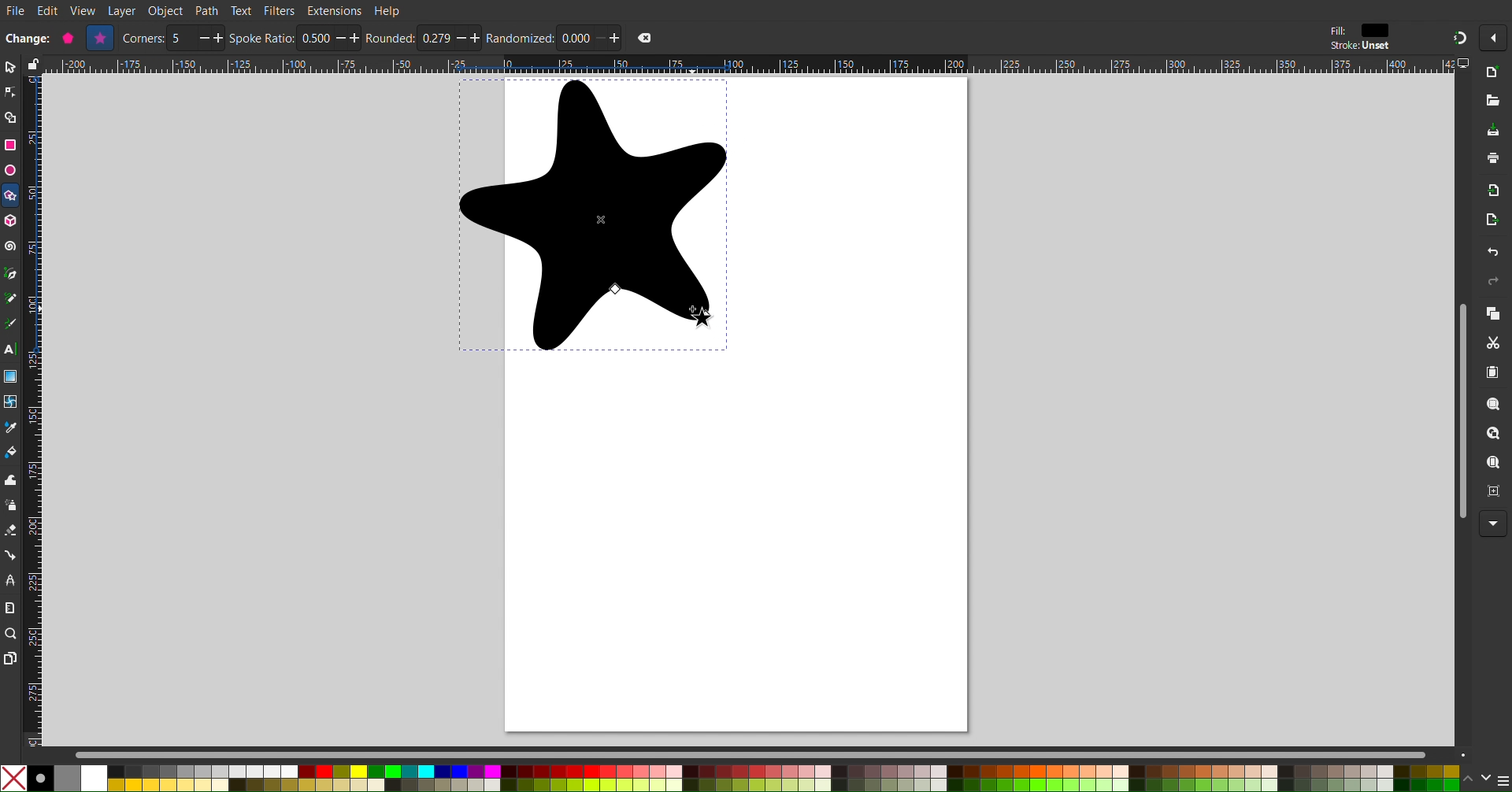 This screenshot has width=1512, height=792. What do you see at coordinates (183, 39) in the screenshot?
I see `2` at bounding box center [183, 39].